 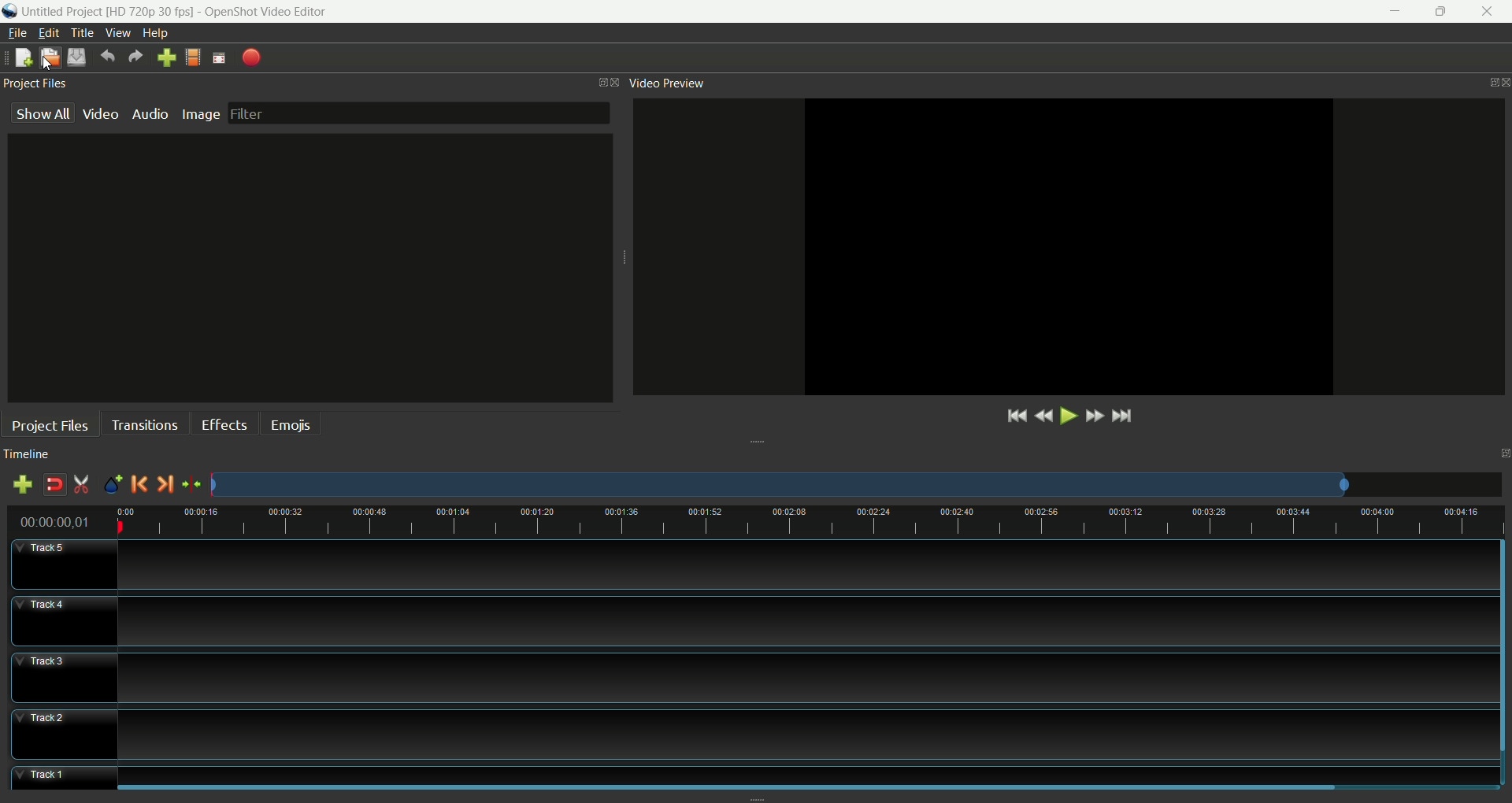 I want to click on view, so click(x=120, y=33).